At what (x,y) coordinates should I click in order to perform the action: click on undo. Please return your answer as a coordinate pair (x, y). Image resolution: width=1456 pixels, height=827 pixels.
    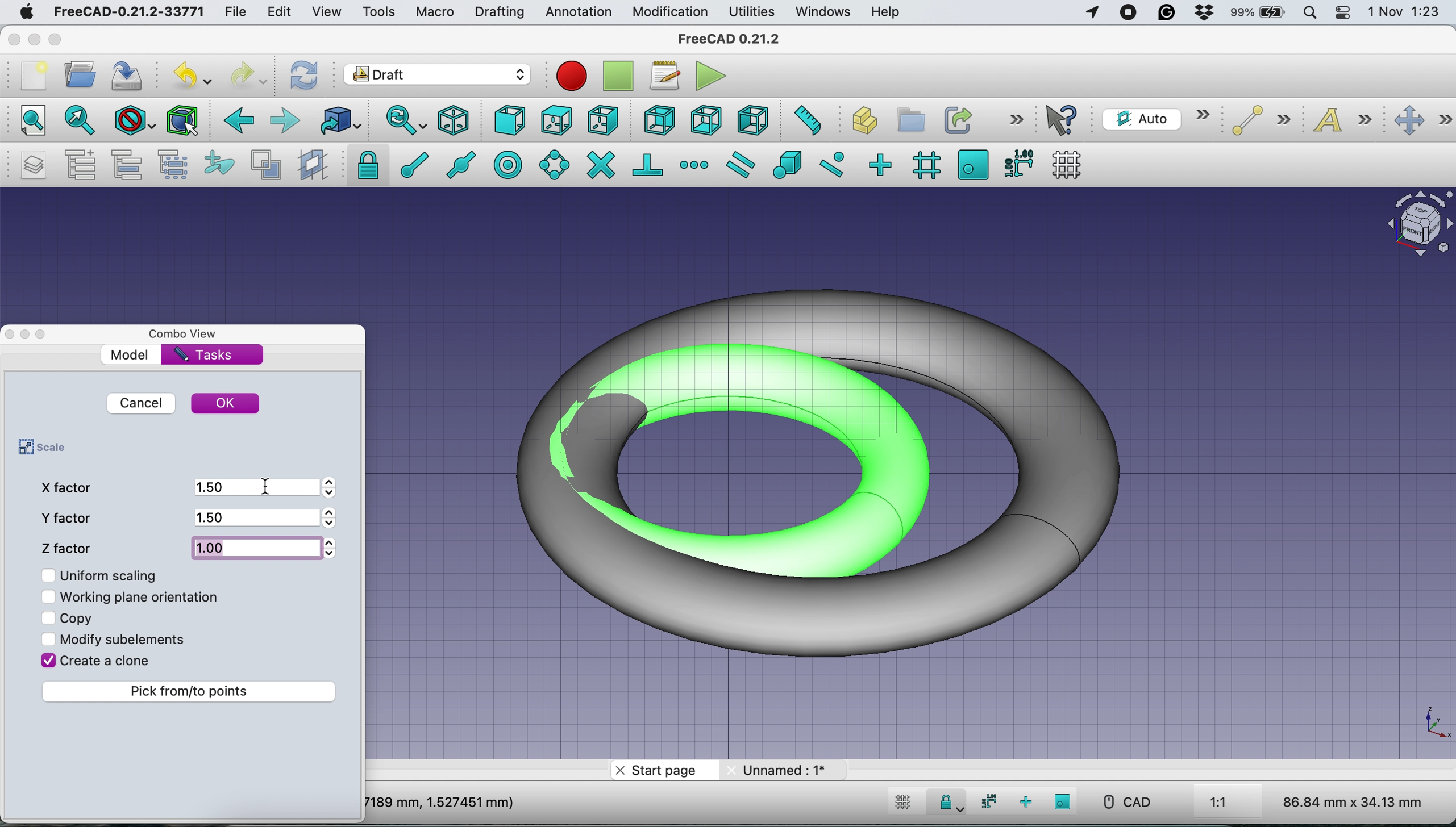
    Looking at the image, I should click on (192, 73).